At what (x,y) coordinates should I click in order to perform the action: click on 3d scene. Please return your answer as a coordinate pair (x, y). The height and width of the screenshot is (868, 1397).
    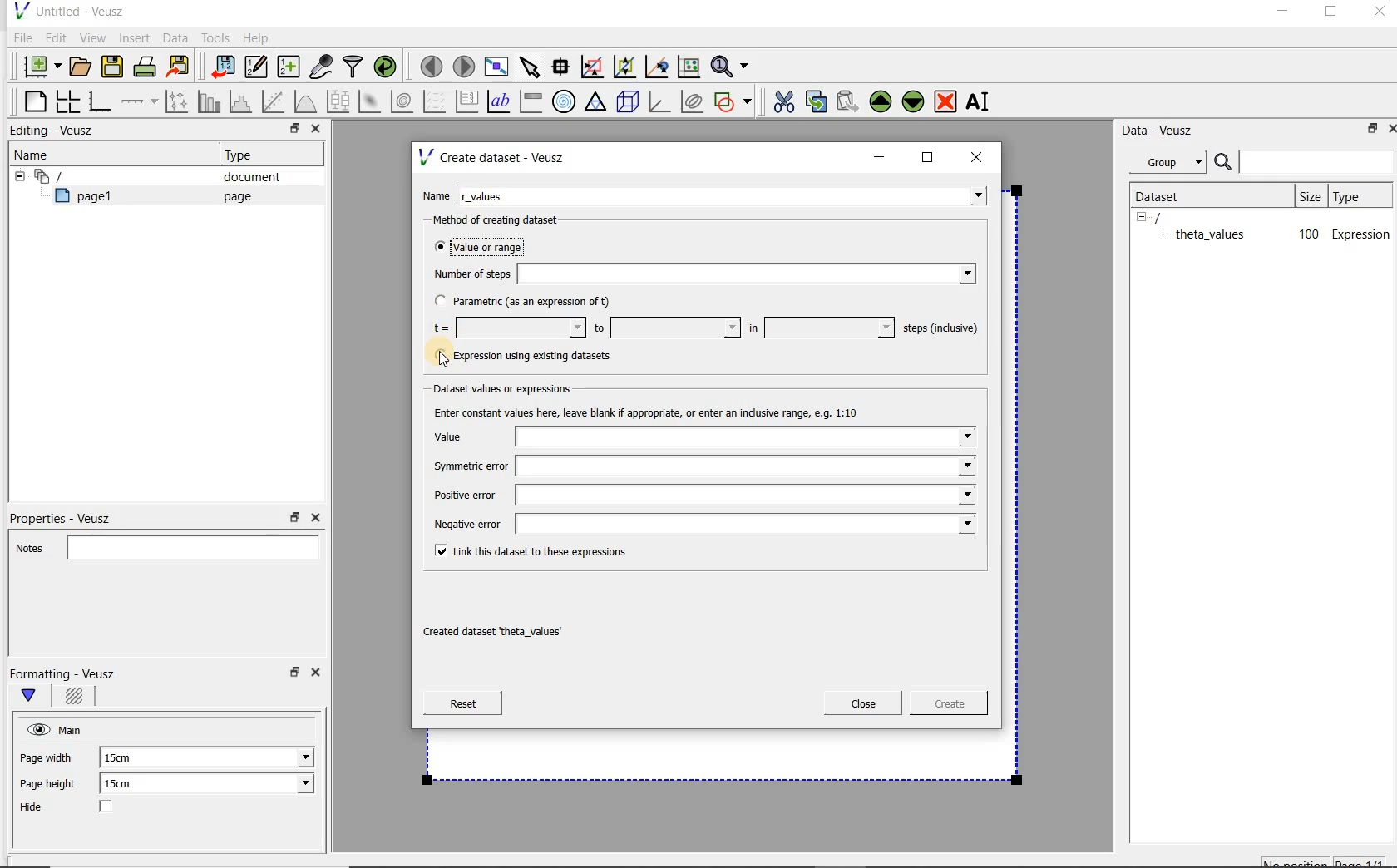
    Looking at the image, I should click on (629, 103).